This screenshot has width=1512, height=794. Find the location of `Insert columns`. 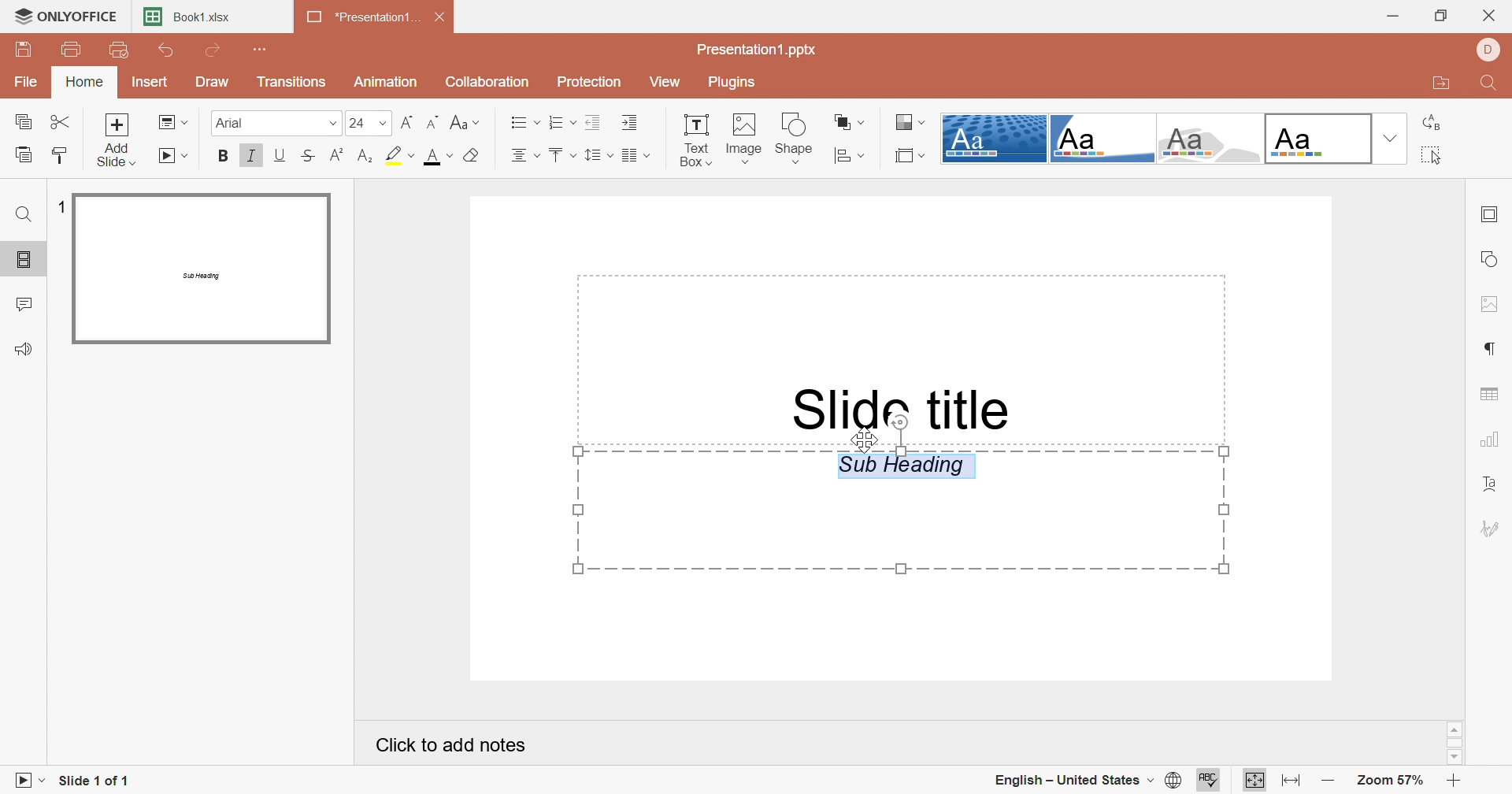

Insert columns is located at coordinates (638, 155).